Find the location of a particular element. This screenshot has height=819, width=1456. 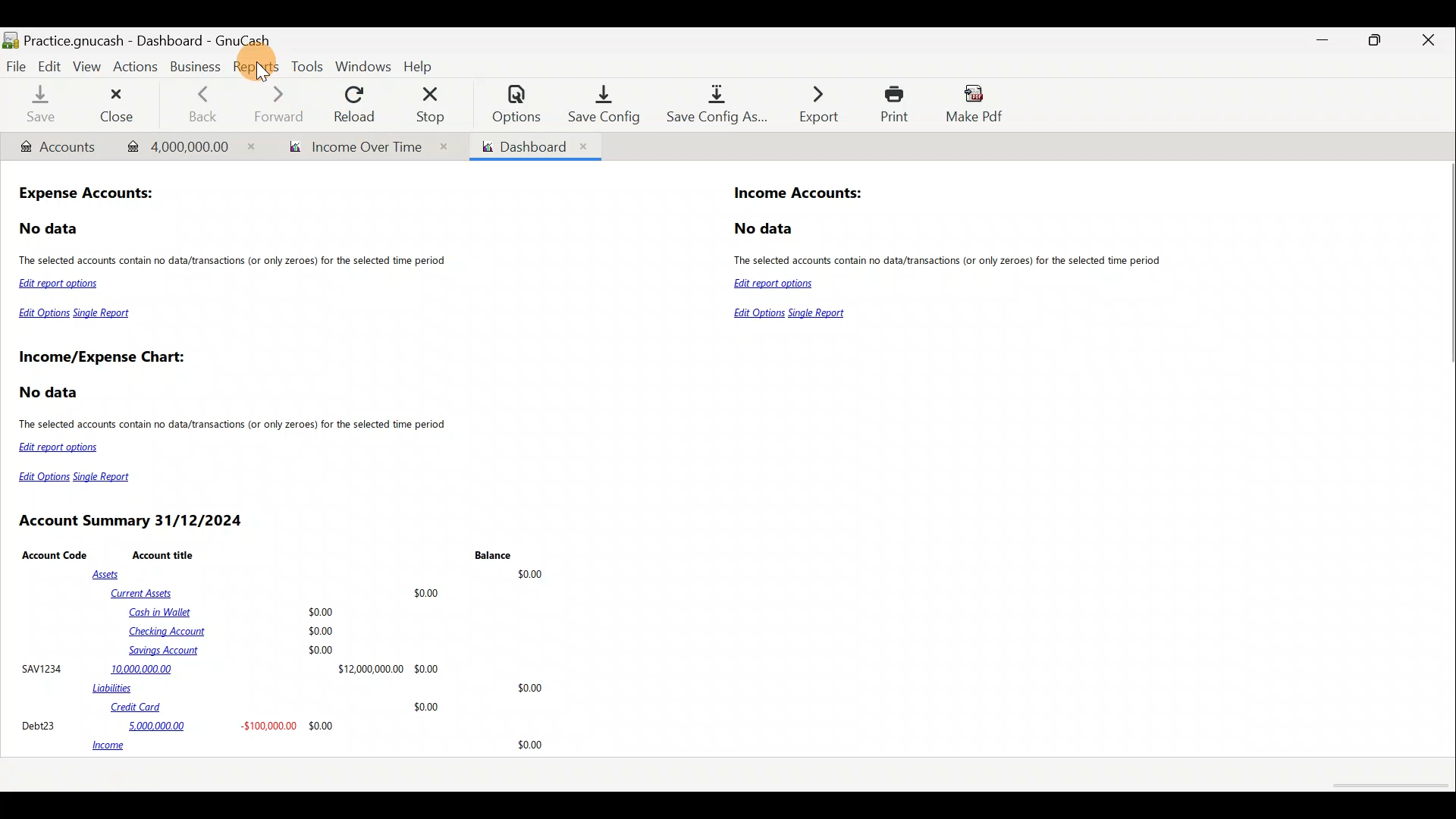

Edit is located at coordinates (49, 65).